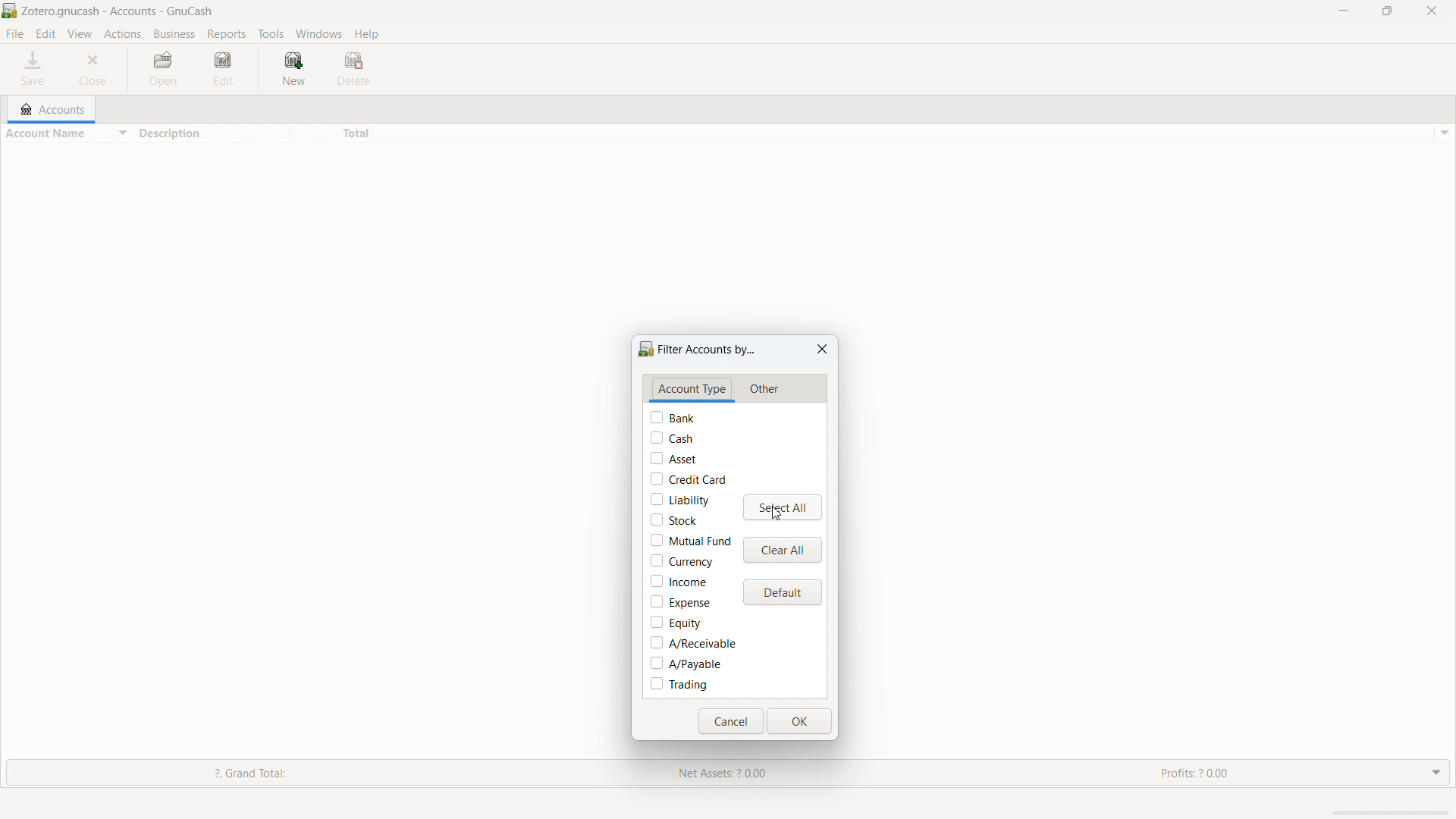 Image resolution: width=1456 pixels, height=819 pixels. Describe the element at coordinates (799, 721) in the screenshot. I see `ok` at that location.